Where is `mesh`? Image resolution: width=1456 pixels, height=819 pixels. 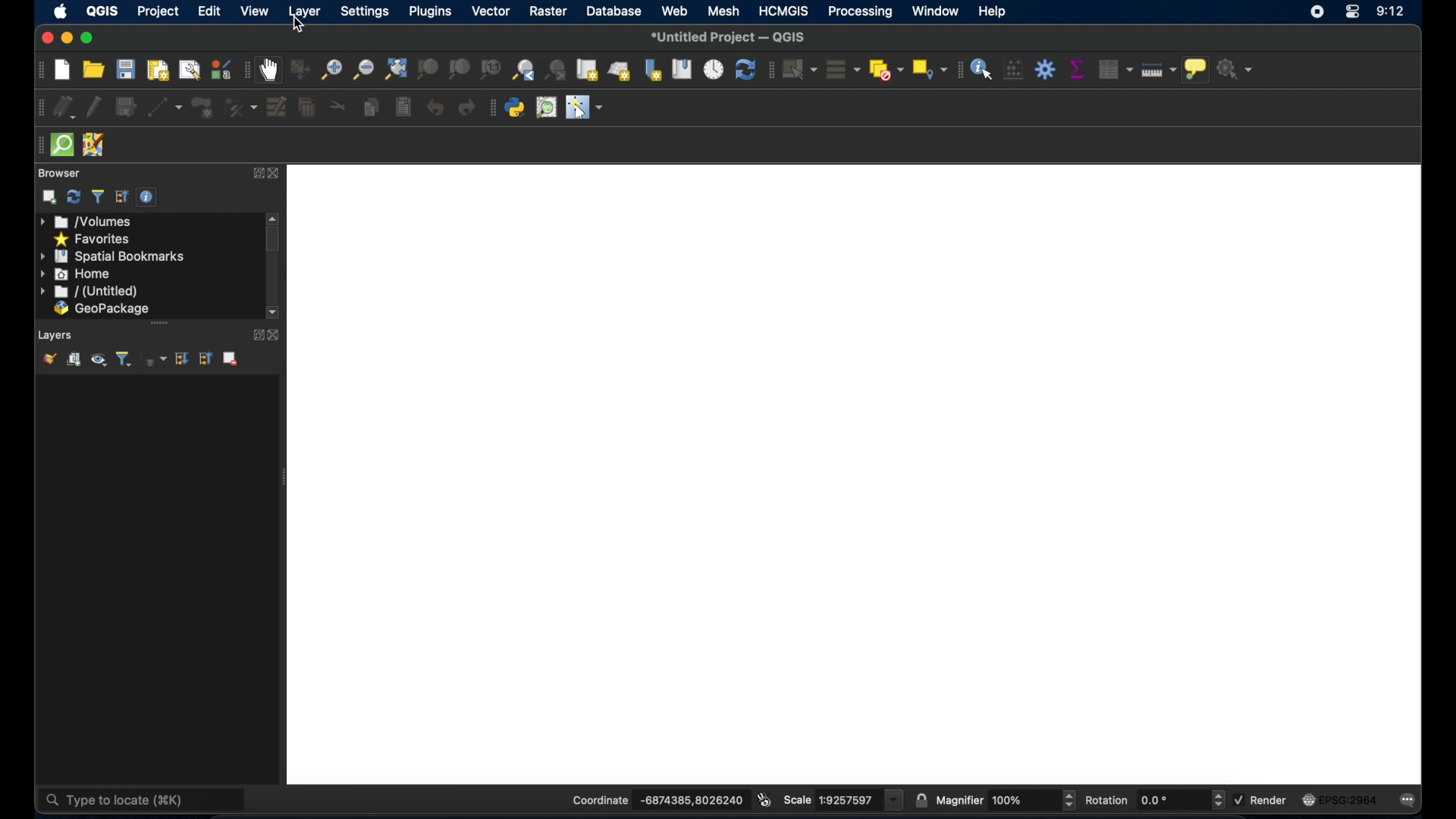
mesh is located at coordinates (724, 11).